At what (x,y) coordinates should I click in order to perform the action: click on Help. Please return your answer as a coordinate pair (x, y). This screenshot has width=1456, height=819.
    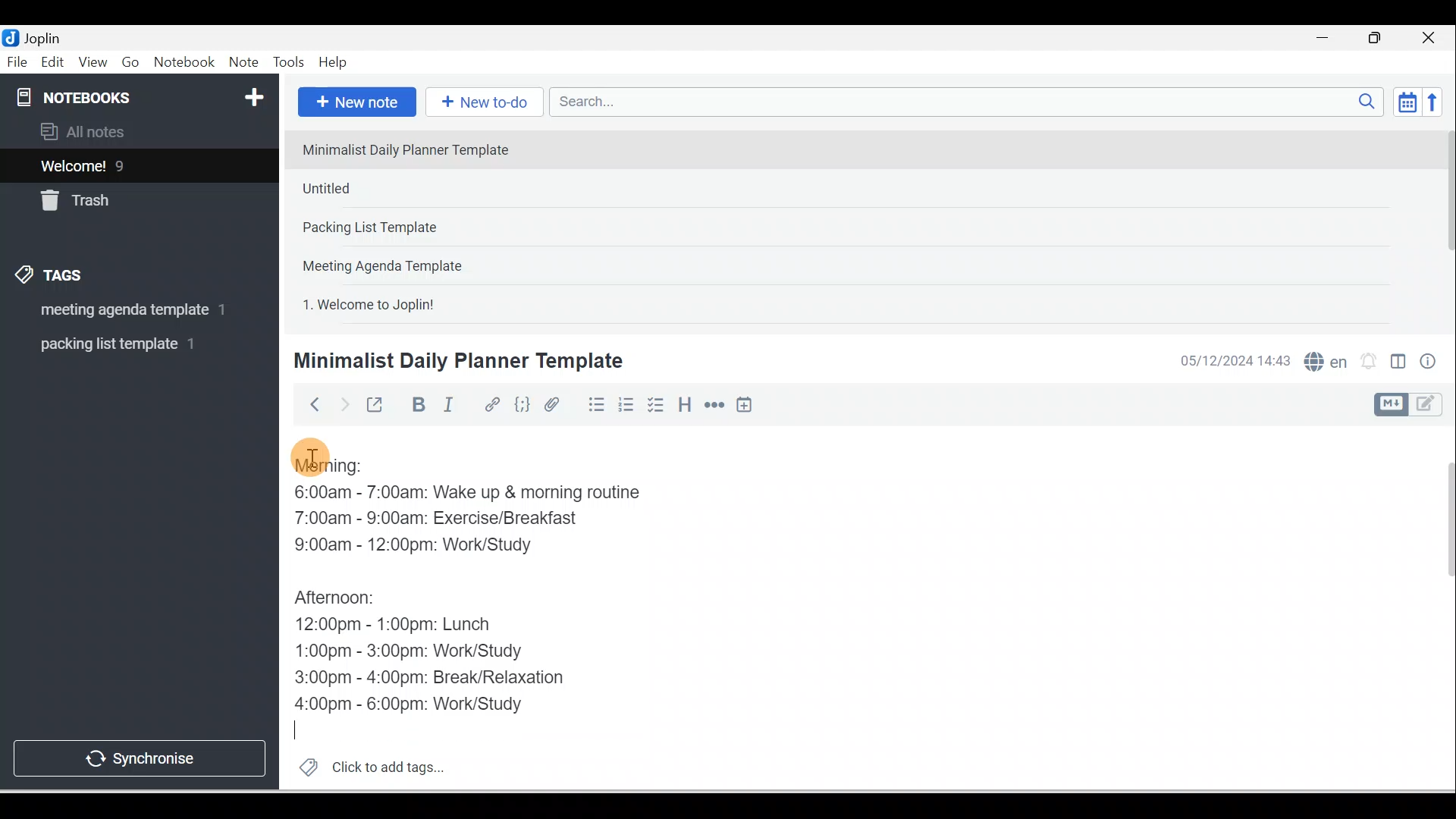
    Looking at the image, I should click on (334, 63).